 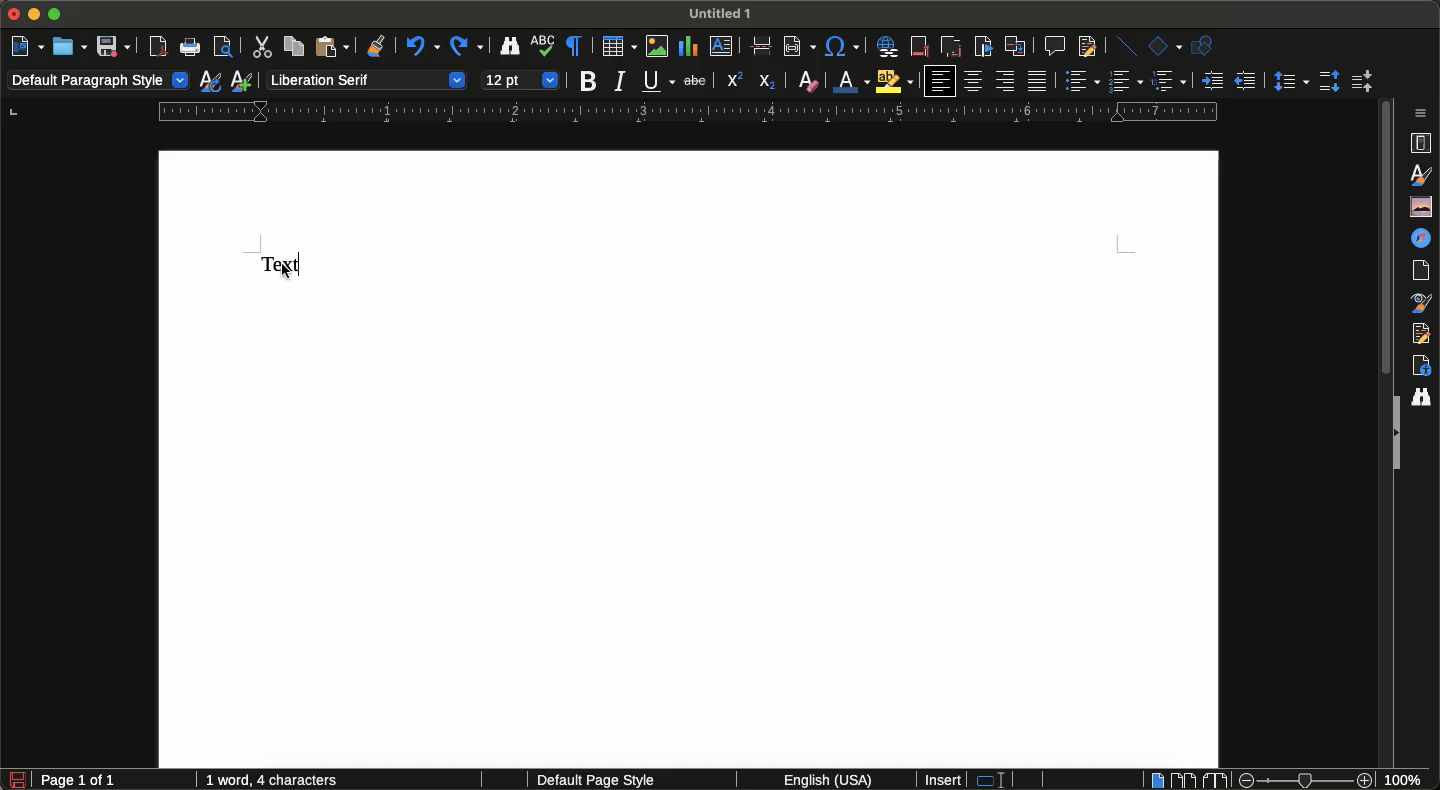 I want to click on New, so click(x=27, y=44).